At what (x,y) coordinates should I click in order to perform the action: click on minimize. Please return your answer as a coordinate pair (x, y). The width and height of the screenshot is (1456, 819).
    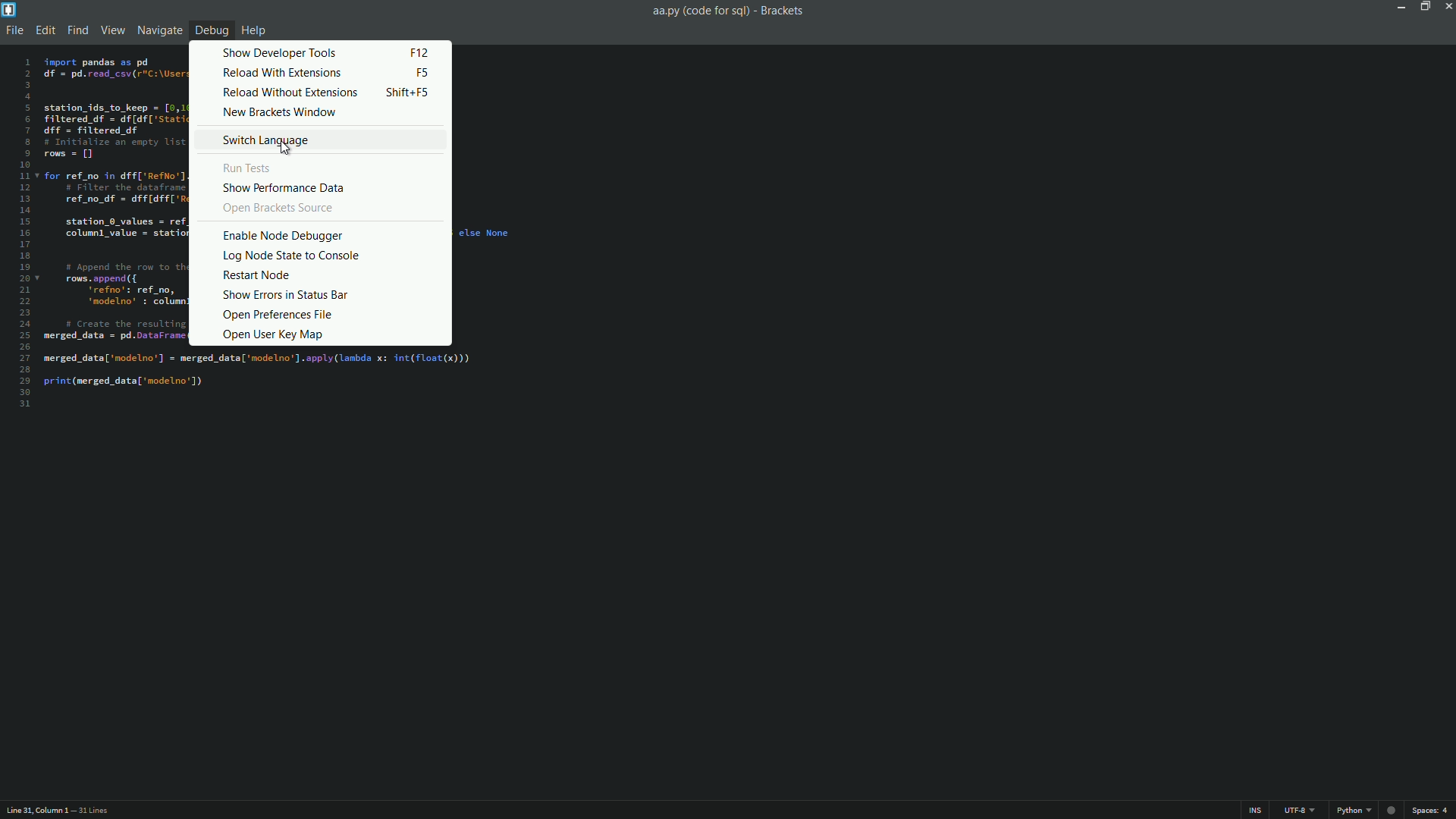
    Looking at the image, I should click on (1398, 6).